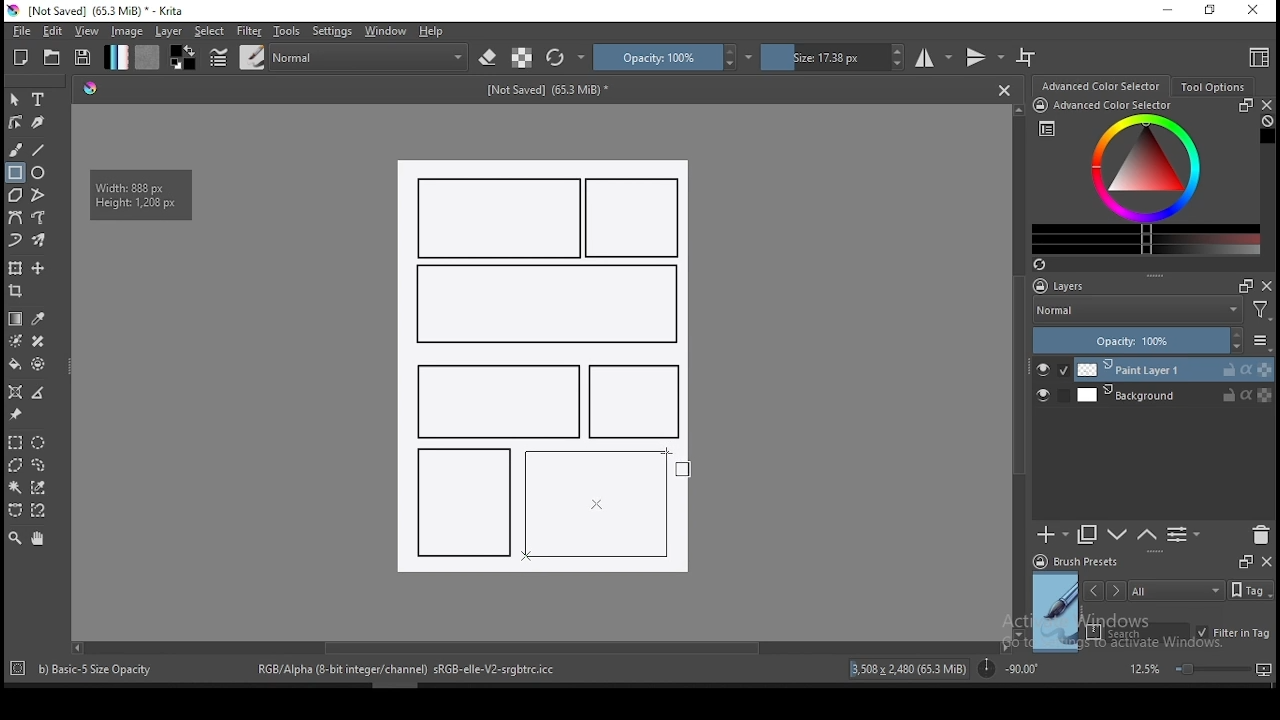 This screenshot has height=720, width=1280. Describe the element at coordinates (634, 402) in the screenshot. I see `new rectangle` at that location.